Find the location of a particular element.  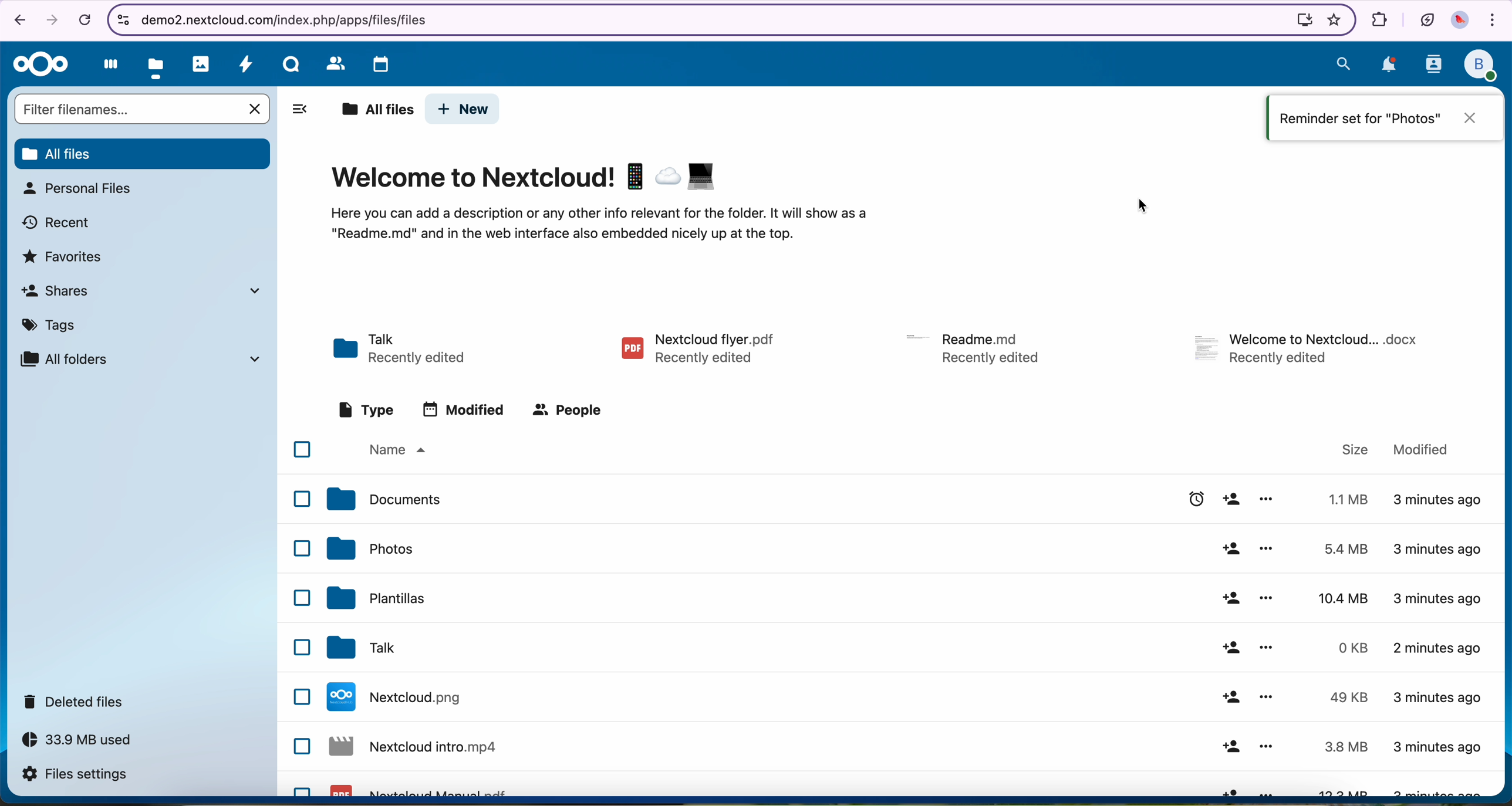

pointer is located at coordinates (1139, 206).